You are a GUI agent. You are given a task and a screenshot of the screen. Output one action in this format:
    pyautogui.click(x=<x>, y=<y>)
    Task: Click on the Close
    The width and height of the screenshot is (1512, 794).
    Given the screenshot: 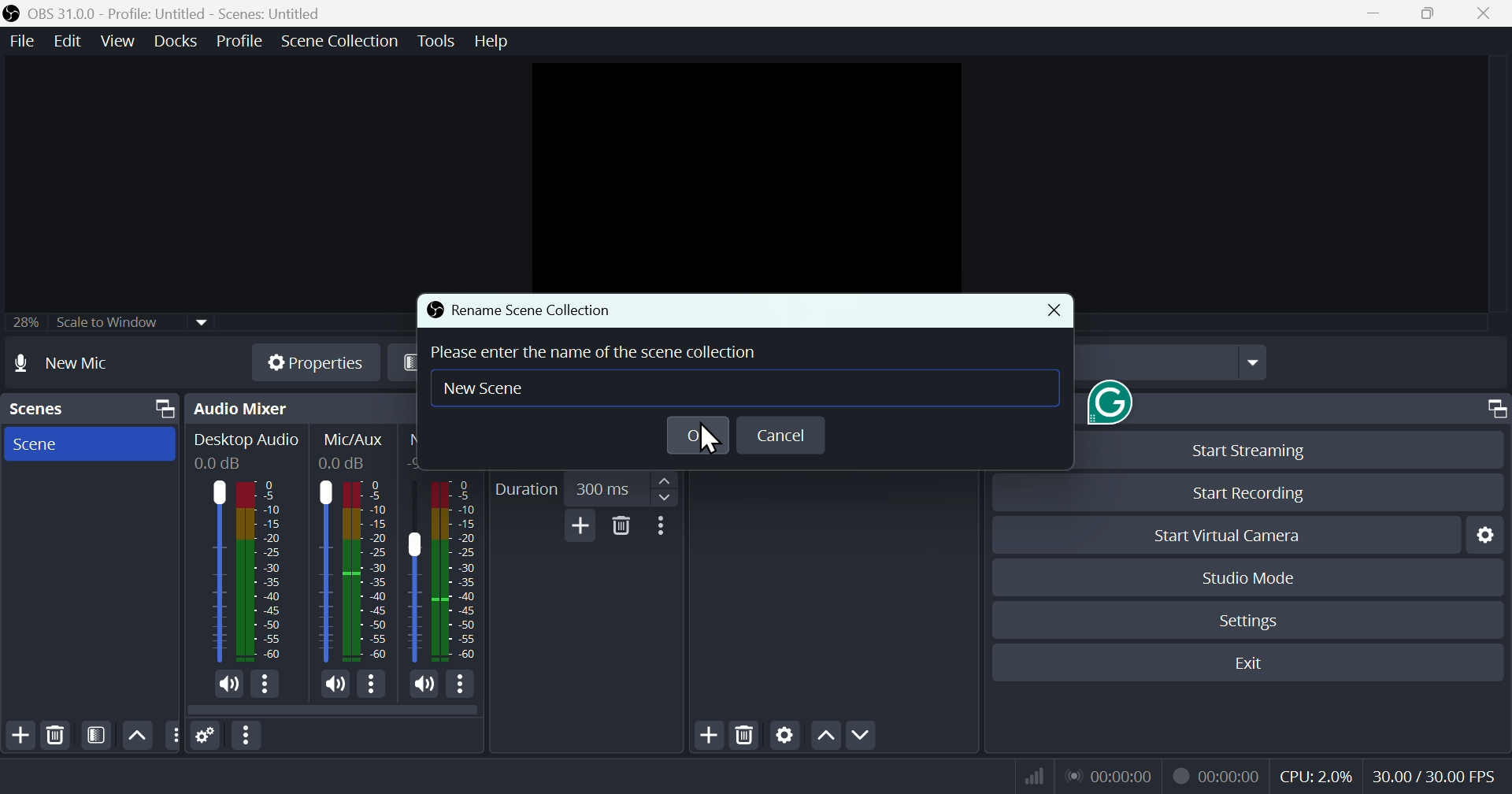 What is the action you would take?
    pyautogui.click(x=1058, y=311)
    